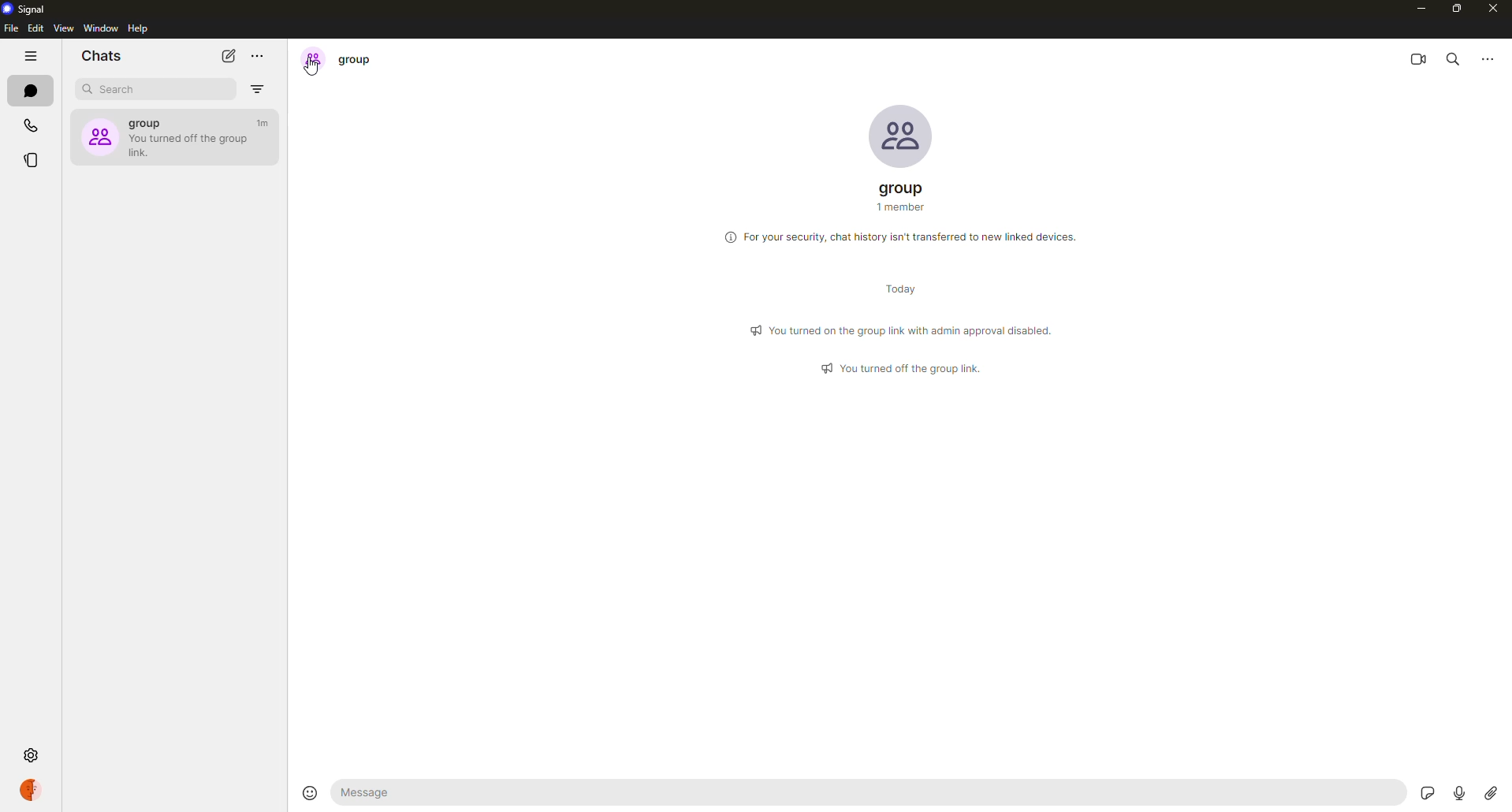  I want to click on stickers, so click(1423, 789).